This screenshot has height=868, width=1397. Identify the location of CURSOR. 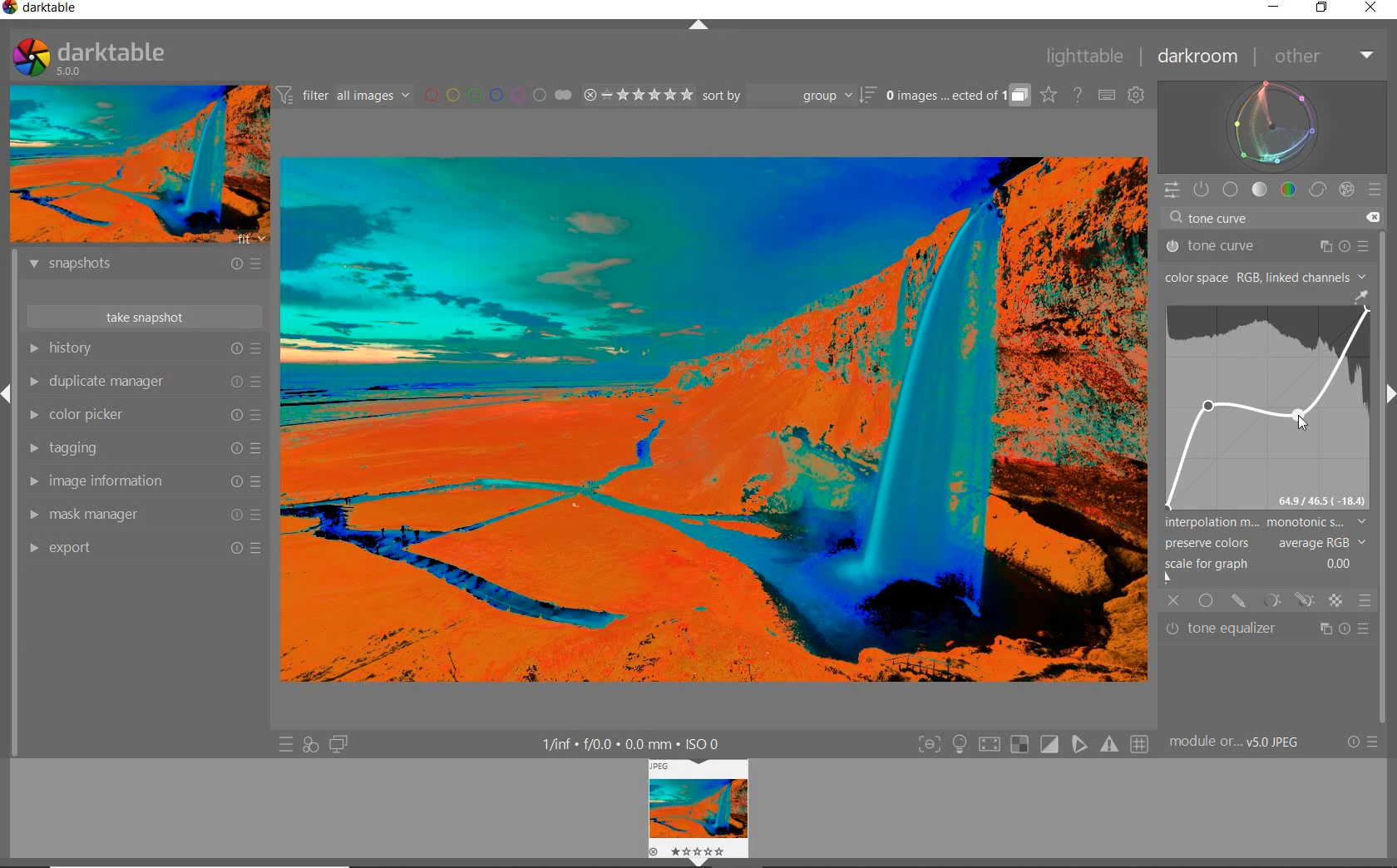
(1209, 408).